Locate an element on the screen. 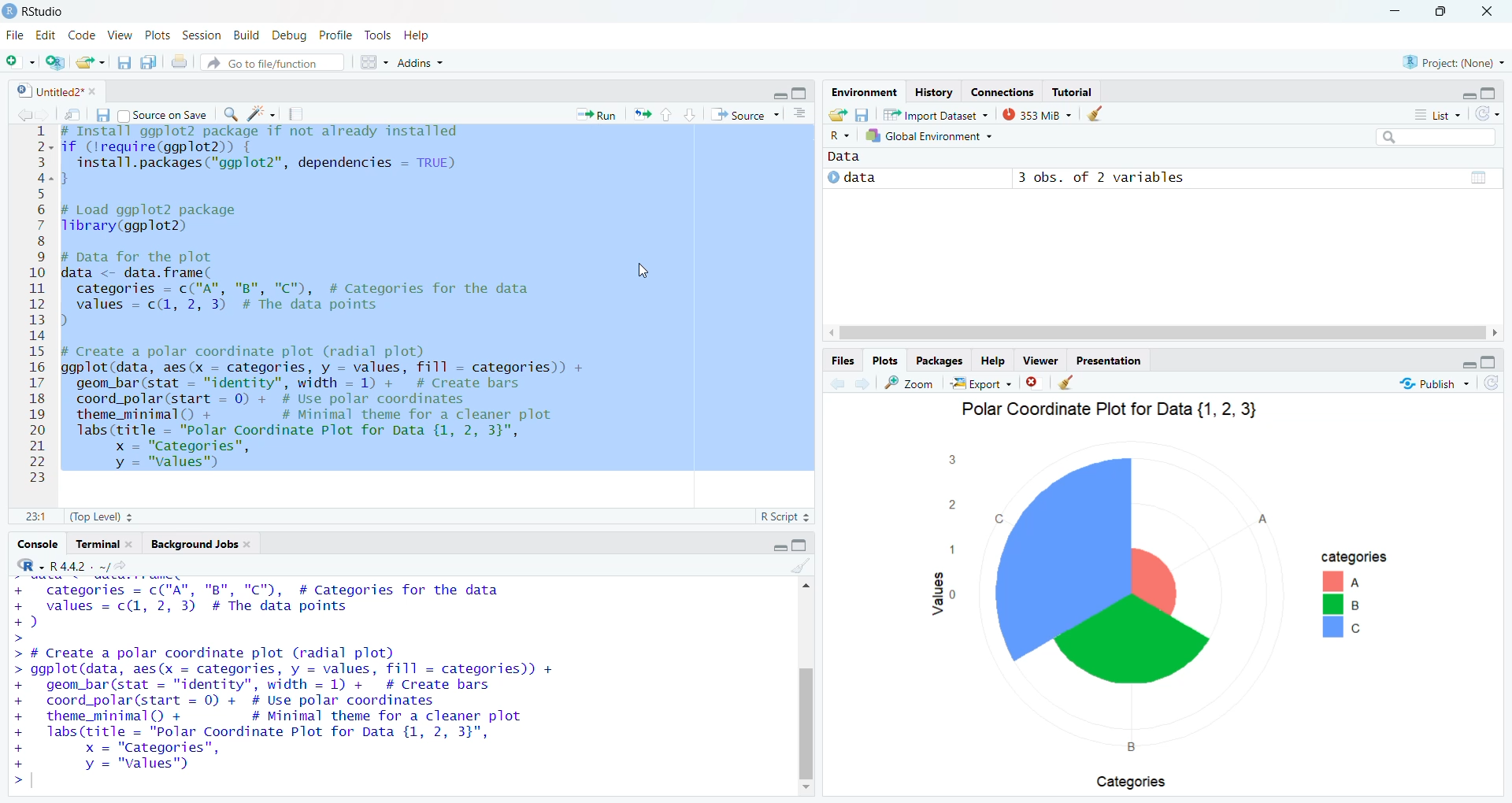  go back to the previous source location is located at coordinates (26, 115).